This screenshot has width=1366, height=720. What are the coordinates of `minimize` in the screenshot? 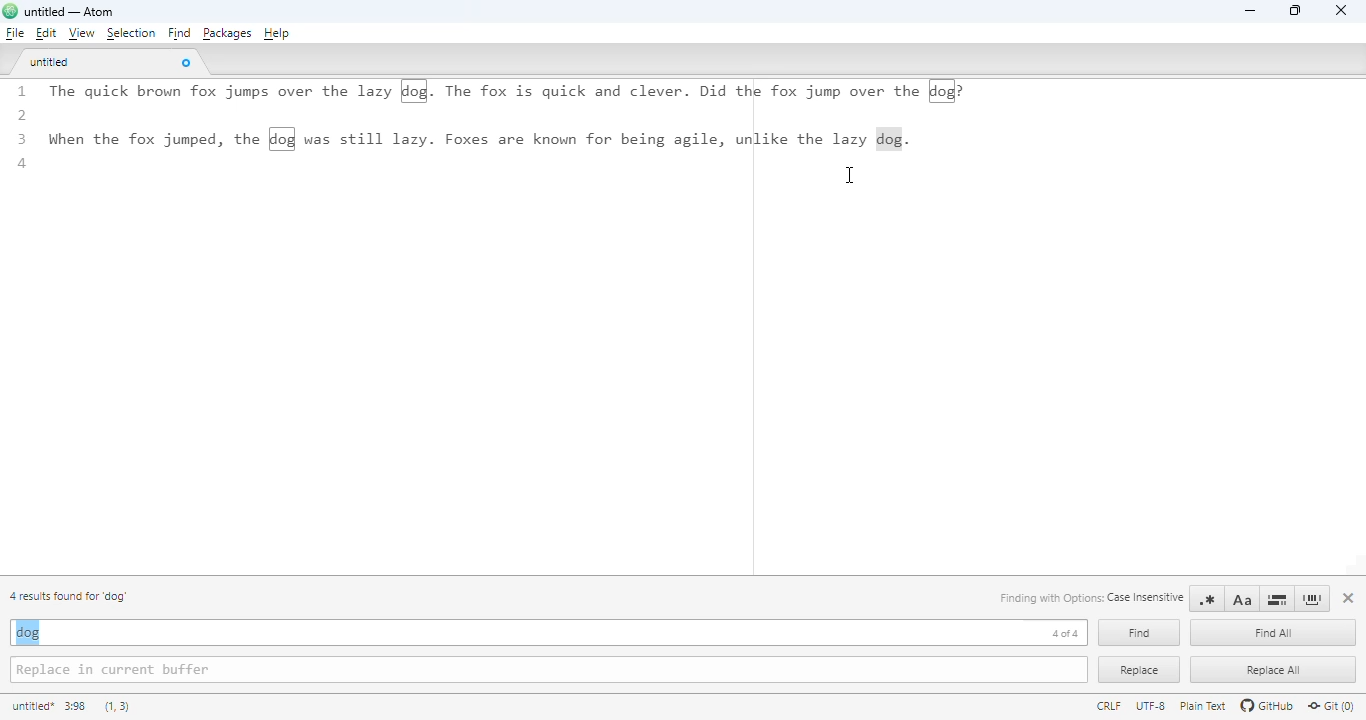 It's located at (1249, 11).